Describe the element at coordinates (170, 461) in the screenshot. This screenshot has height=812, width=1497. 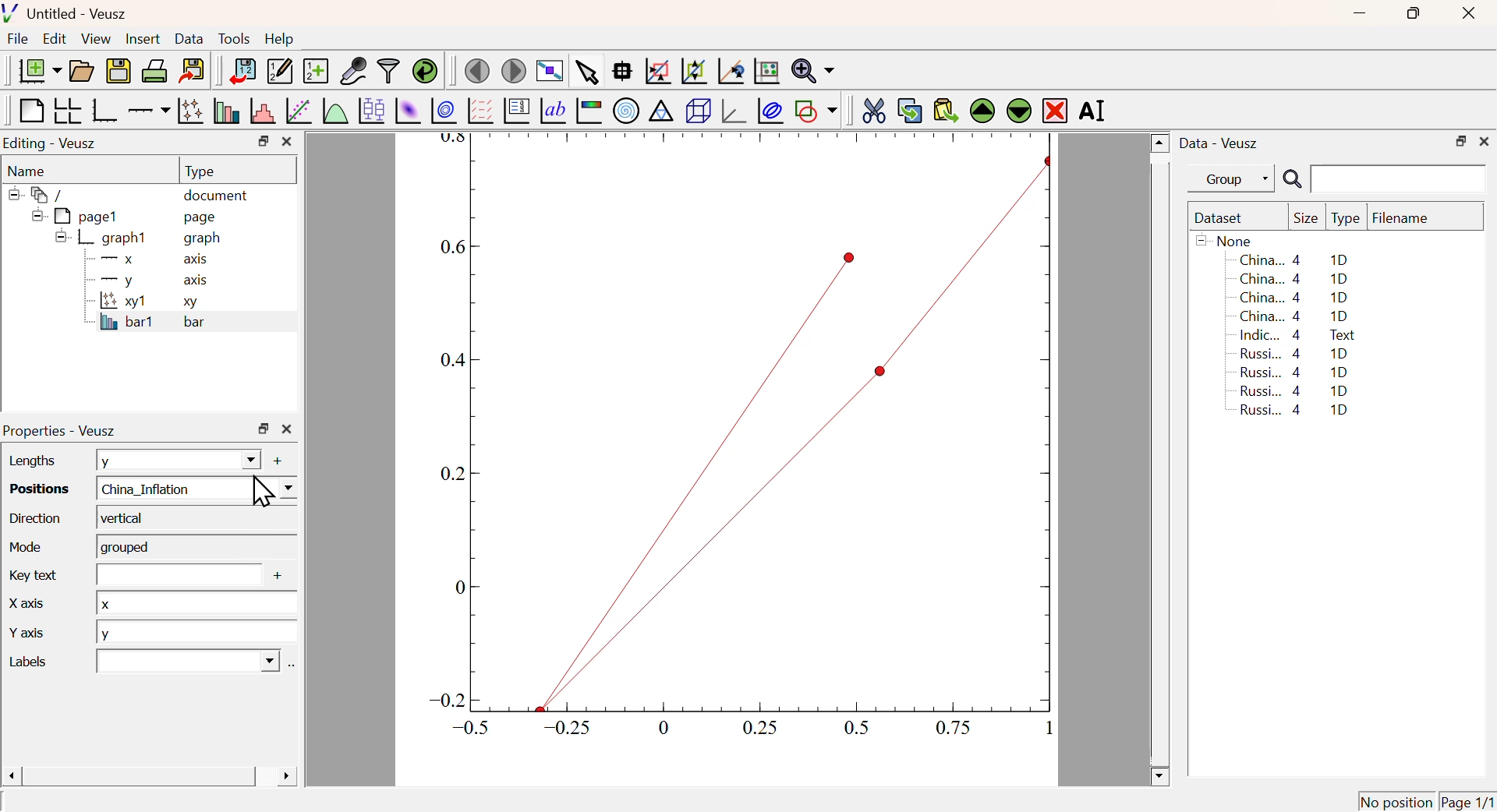
I see `y` at that location.